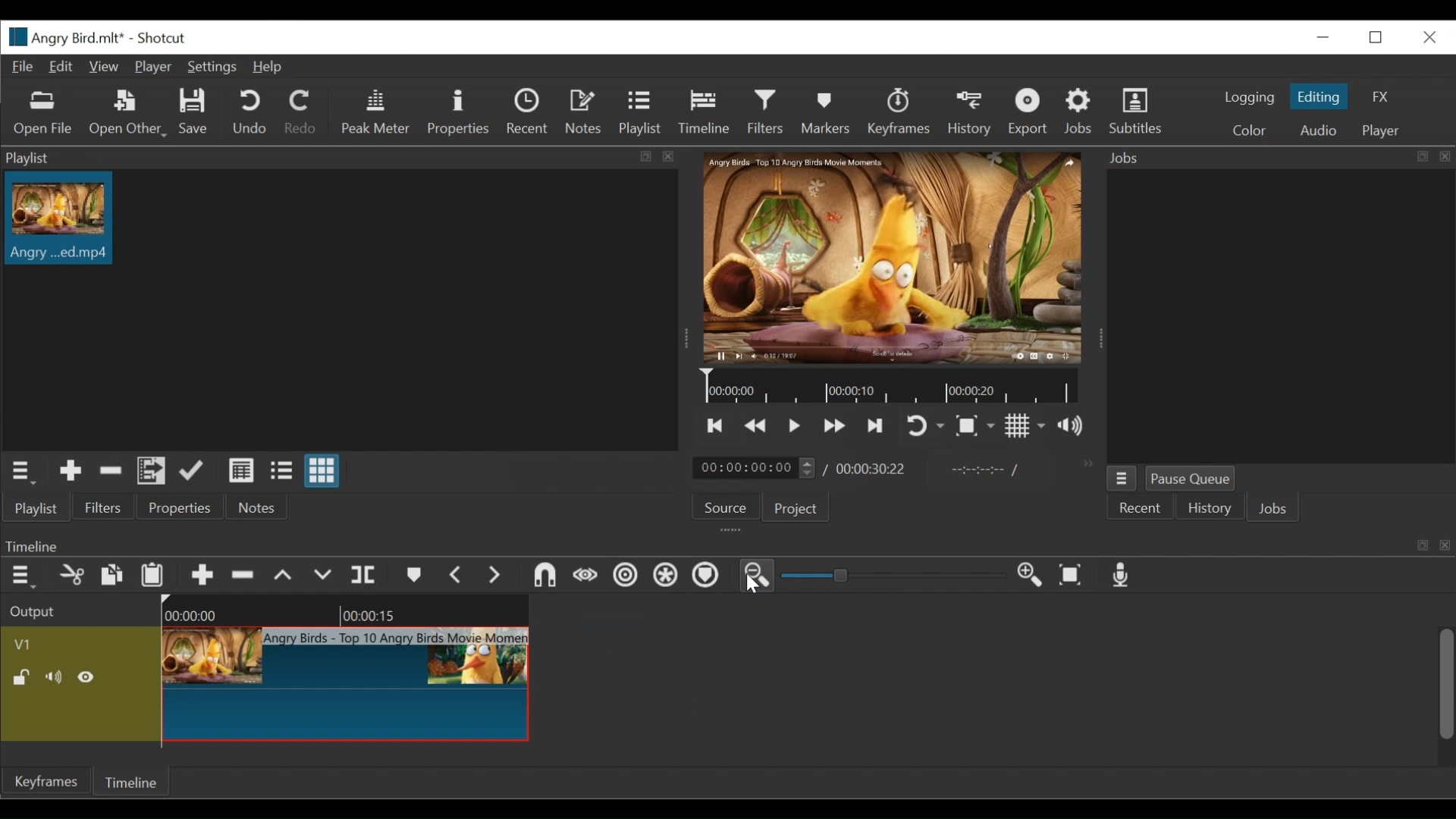 This screenshot has height=819, width=1456. Describe the element at coordinates (835, 425) in the screenshot. I see `Play forward quickly` at that location.